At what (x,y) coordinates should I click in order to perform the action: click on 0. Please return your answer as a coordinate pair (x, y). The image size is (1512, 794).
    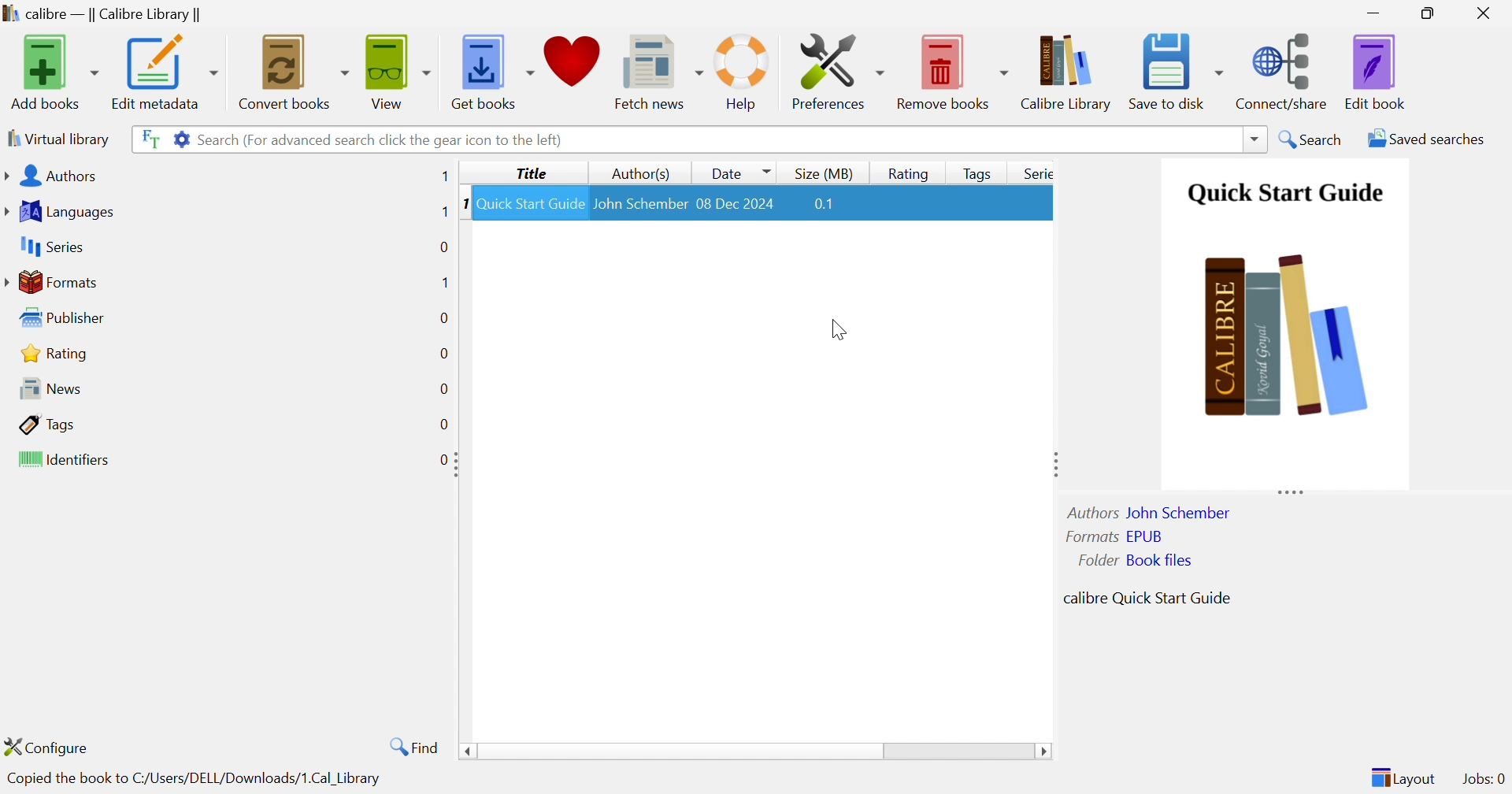
    Looking at the image, I should click on (437, 460).